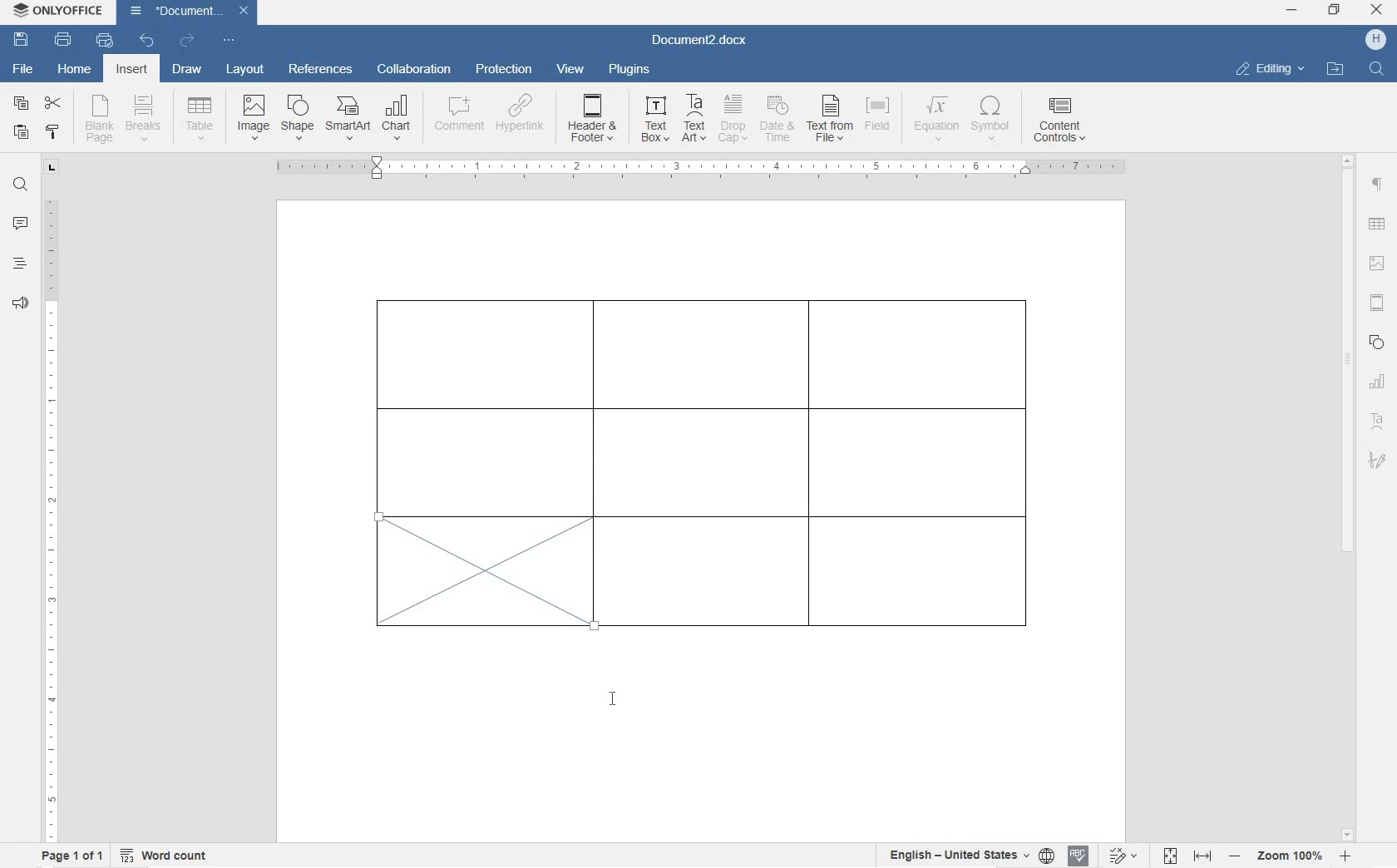  I want to click on ruler, so click(708, 170).